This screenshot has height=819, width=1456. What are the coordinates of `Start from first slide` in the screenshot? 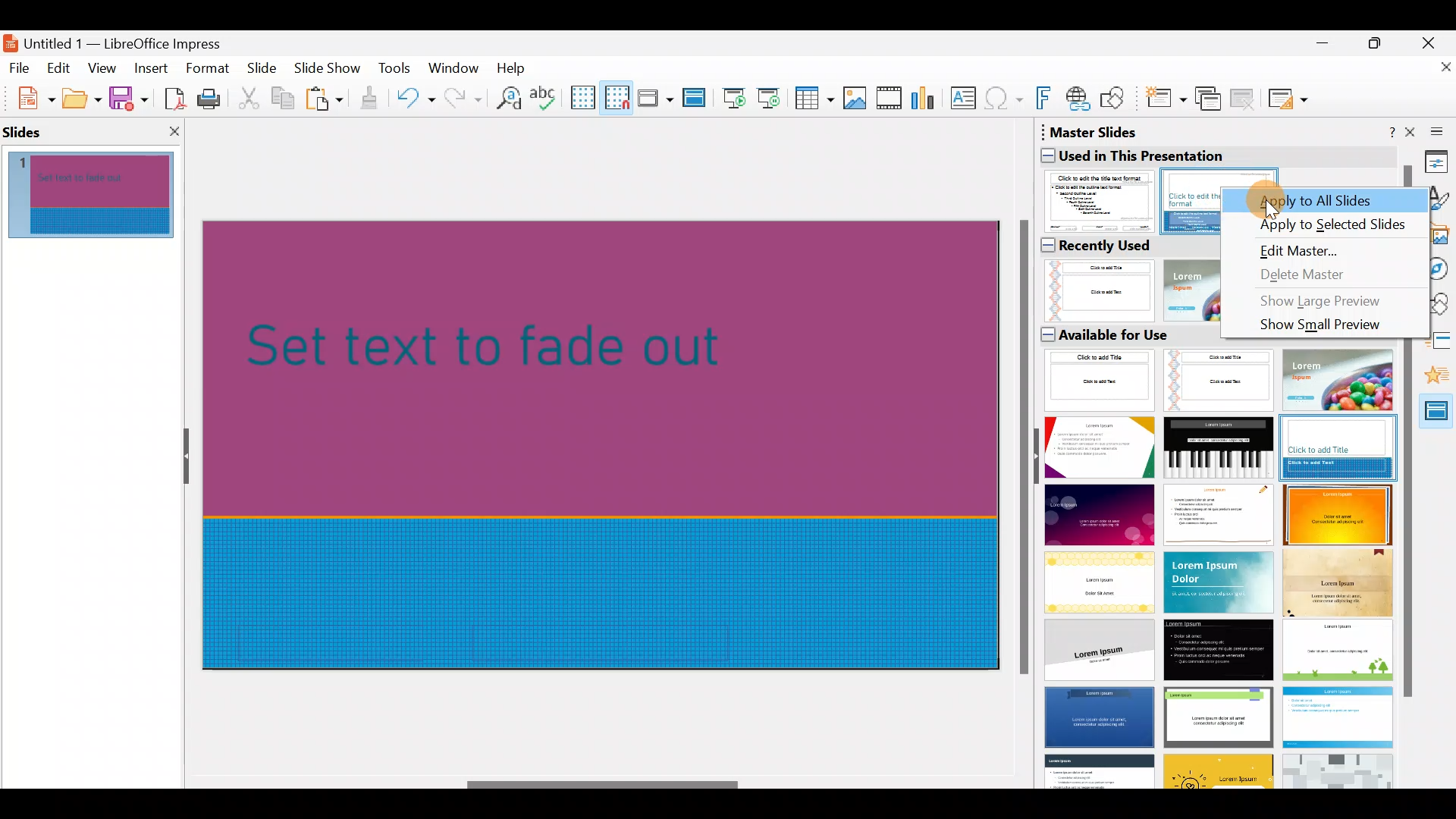 It's located at (734, 96).